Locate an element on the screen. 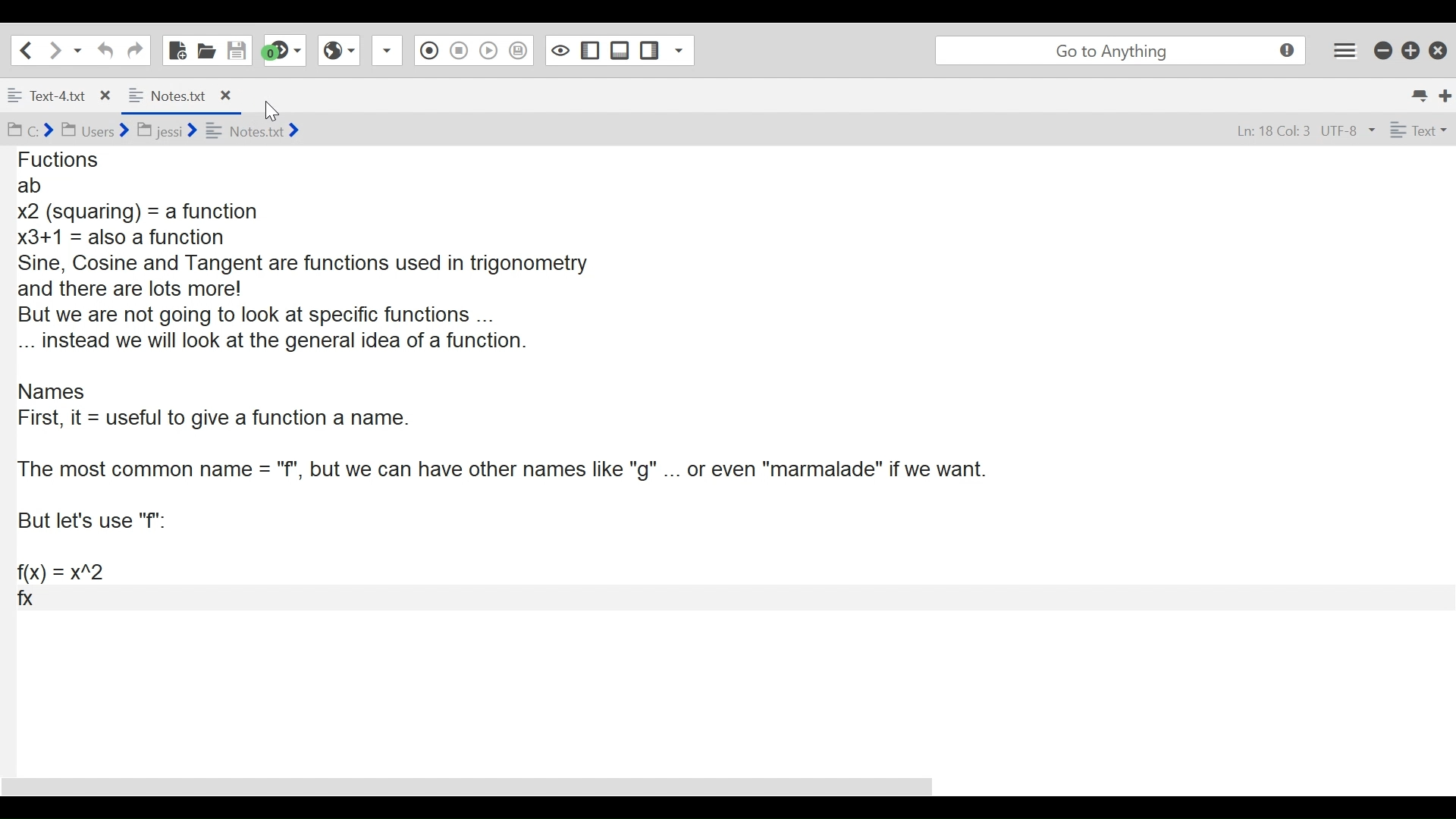  text-4.txt is located at coordinates (49, 96).